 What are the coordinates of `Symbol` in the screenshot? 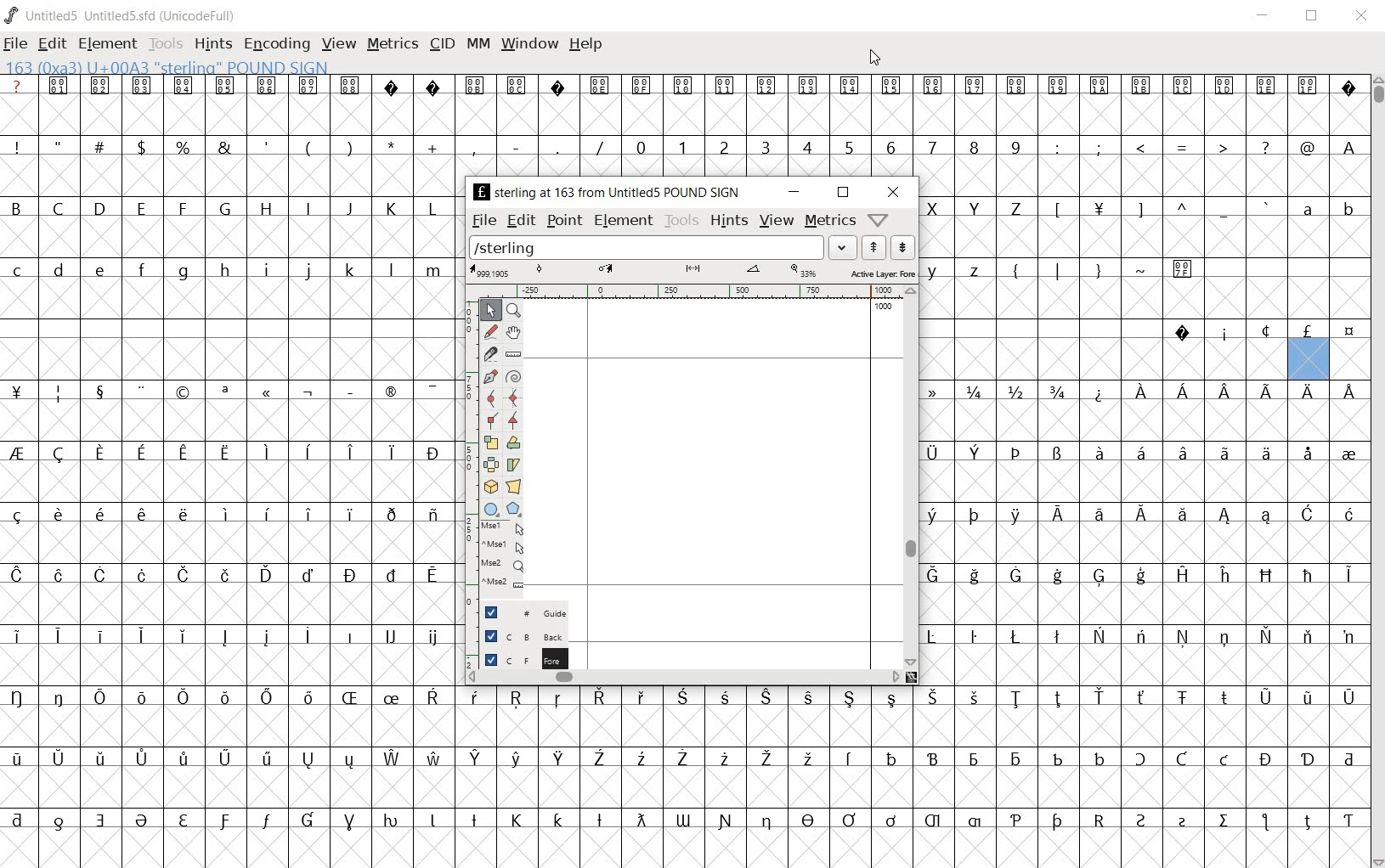 It's located at (59, 392).